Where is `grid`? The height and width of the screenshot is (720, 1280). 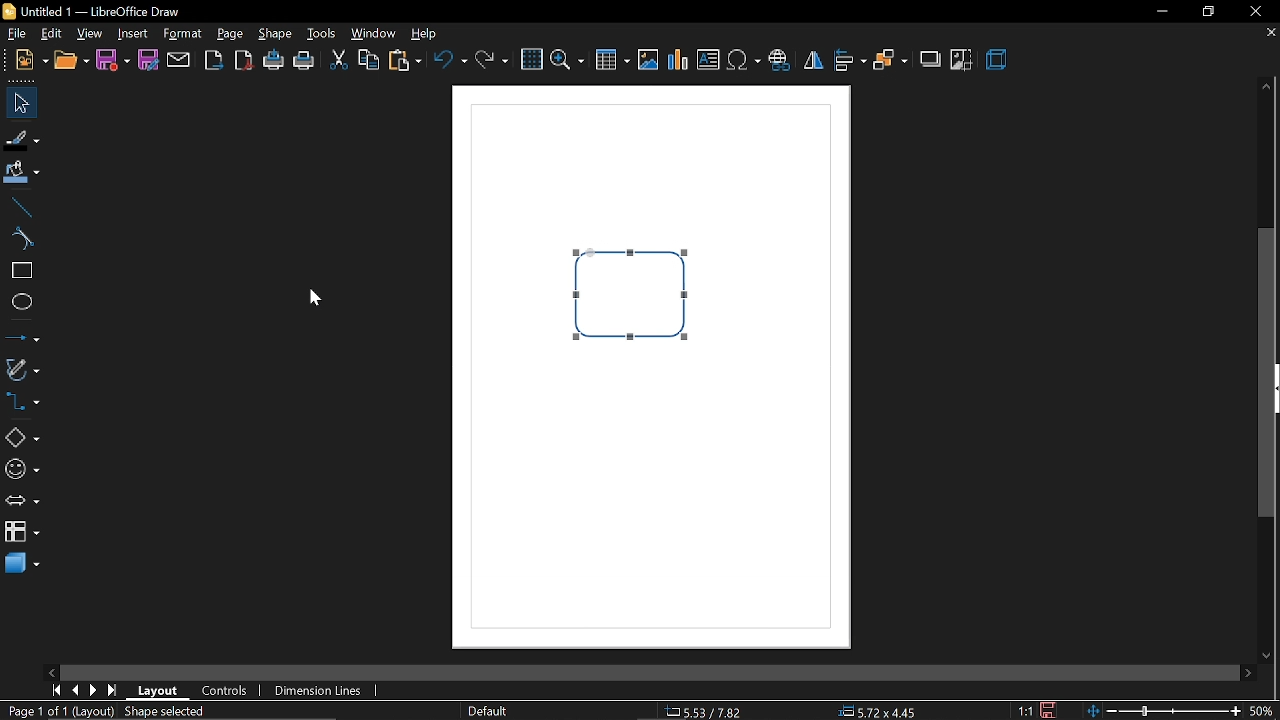
grid is located at coordinates (532, 60).